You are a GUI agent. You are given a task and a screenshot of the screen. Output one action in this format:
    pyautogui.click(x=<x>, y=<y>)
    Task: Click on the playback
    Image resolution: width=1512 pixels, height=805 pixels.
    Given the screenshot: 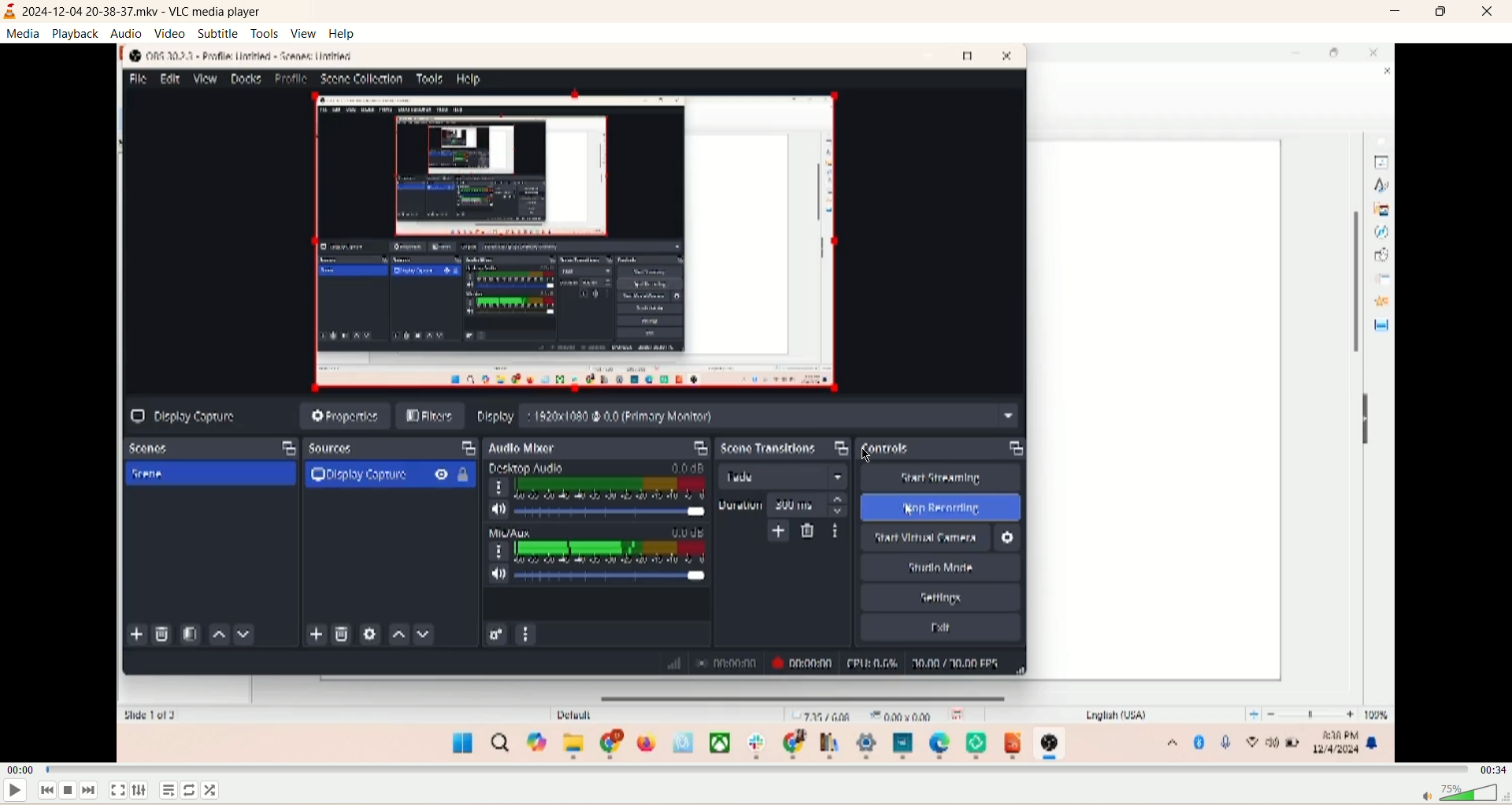 What is the action you would take?
    pyautogui.click(x=77, y=33)
    